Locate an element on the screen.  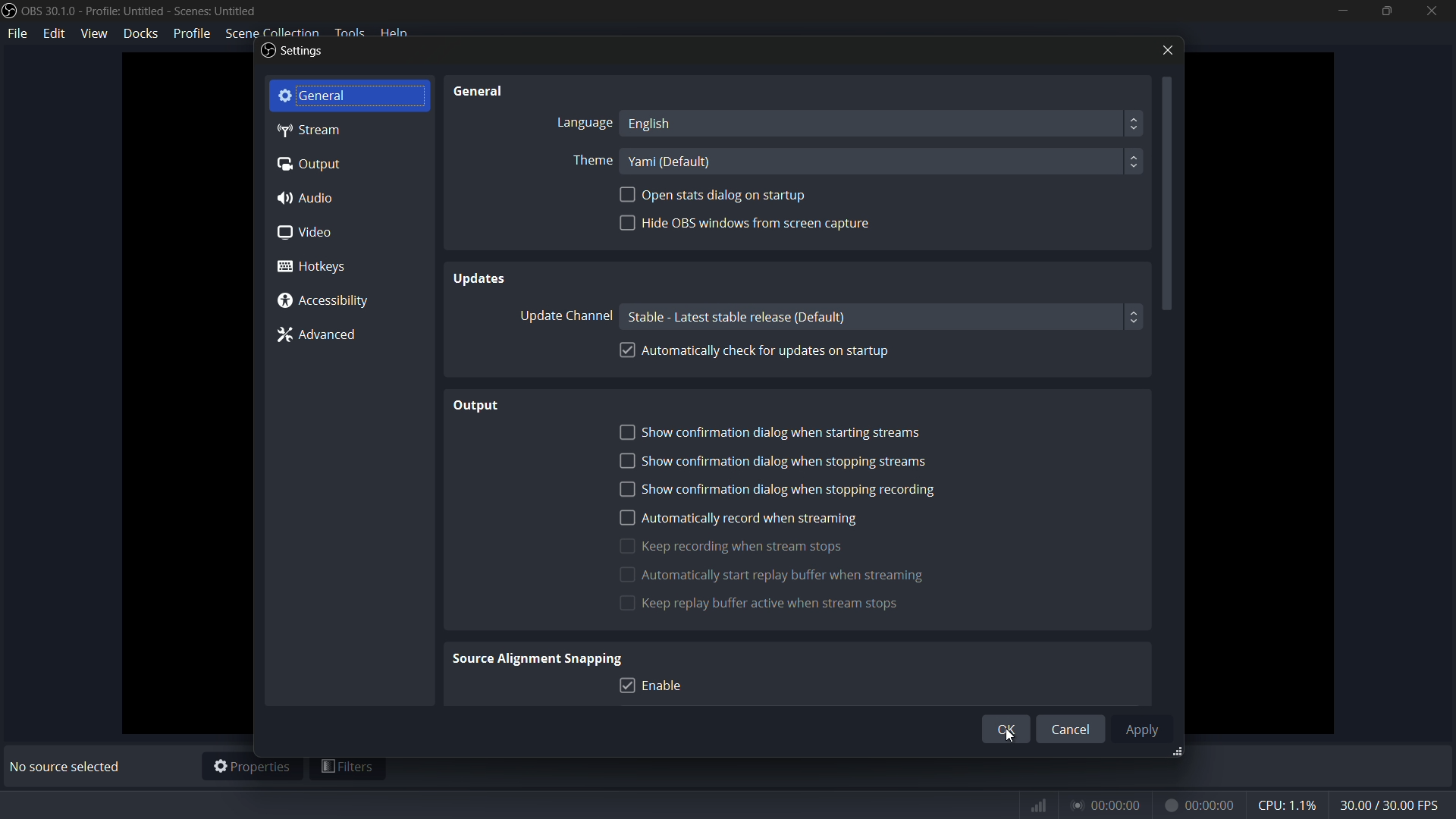
Theme (Yami(Default) is located at coordinates (859, 161).